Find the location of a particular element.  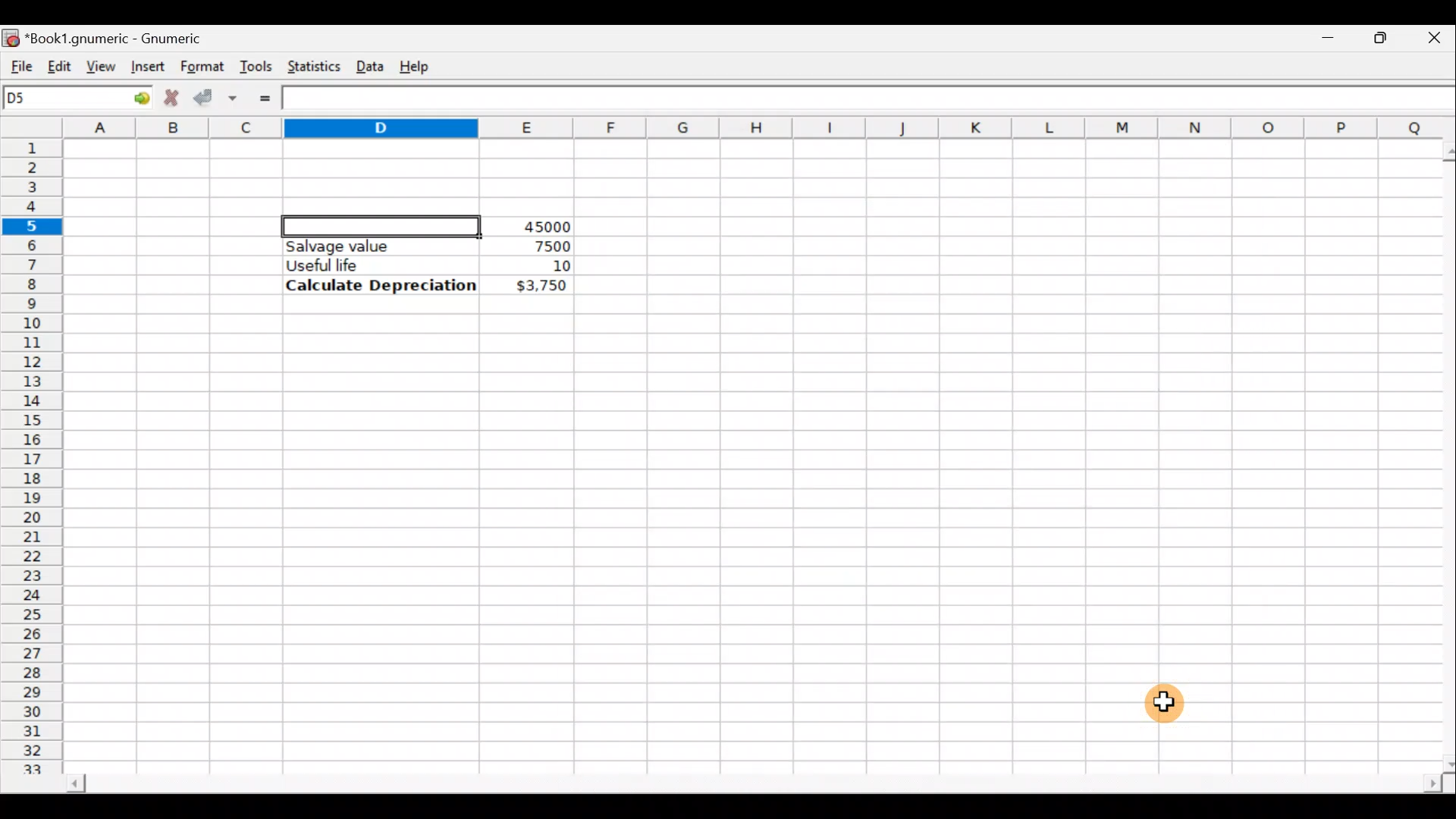

Calculate Depreciation is located at coordinates (381, 284).